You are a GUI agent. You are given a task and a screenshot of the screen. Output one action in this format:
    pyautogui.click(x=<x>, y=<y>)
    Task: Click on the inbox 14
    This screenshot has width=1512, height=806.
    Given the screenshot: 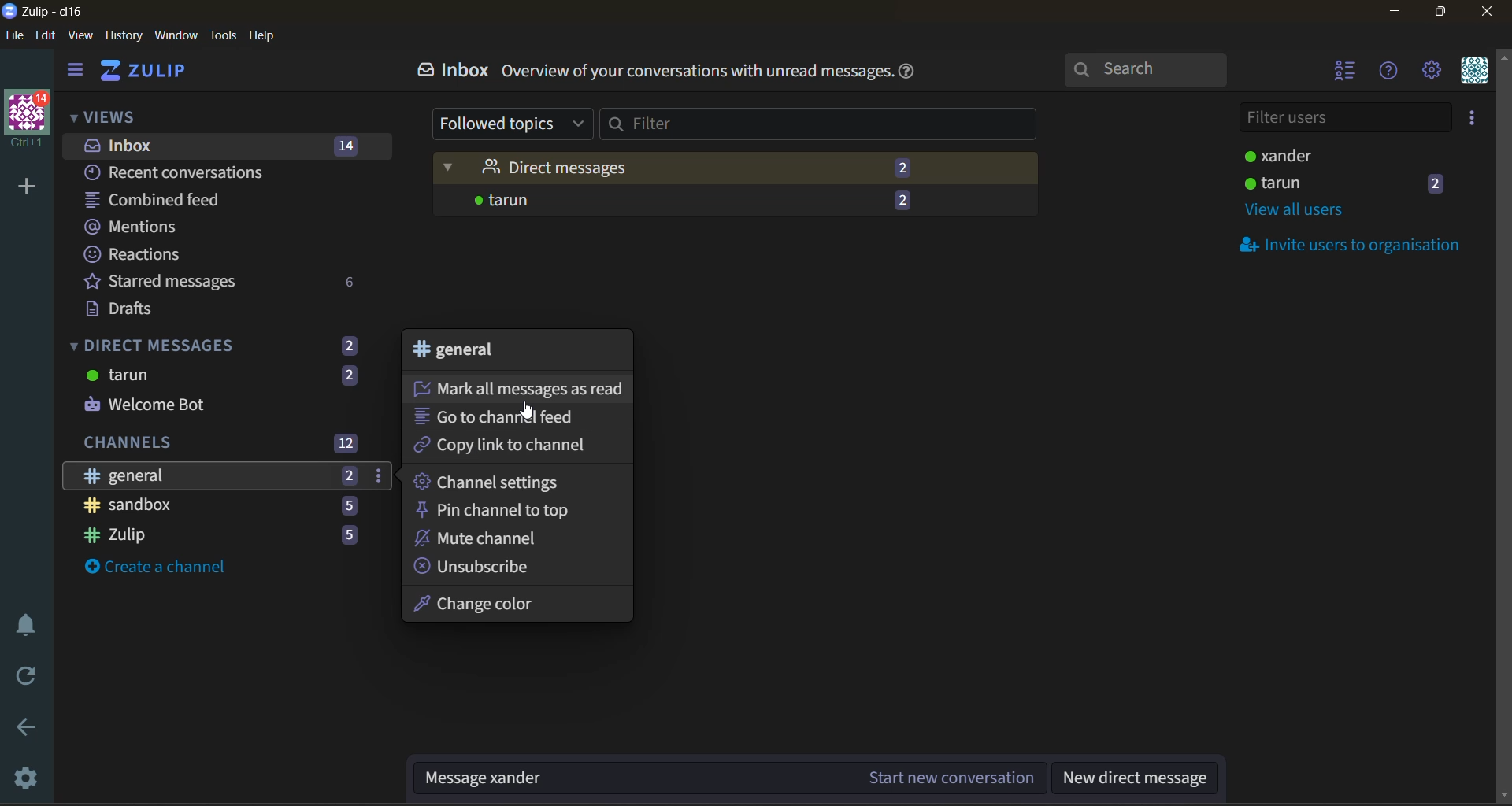 What is the action you would take?
    pyautogui.click(x=217, y=144)
    